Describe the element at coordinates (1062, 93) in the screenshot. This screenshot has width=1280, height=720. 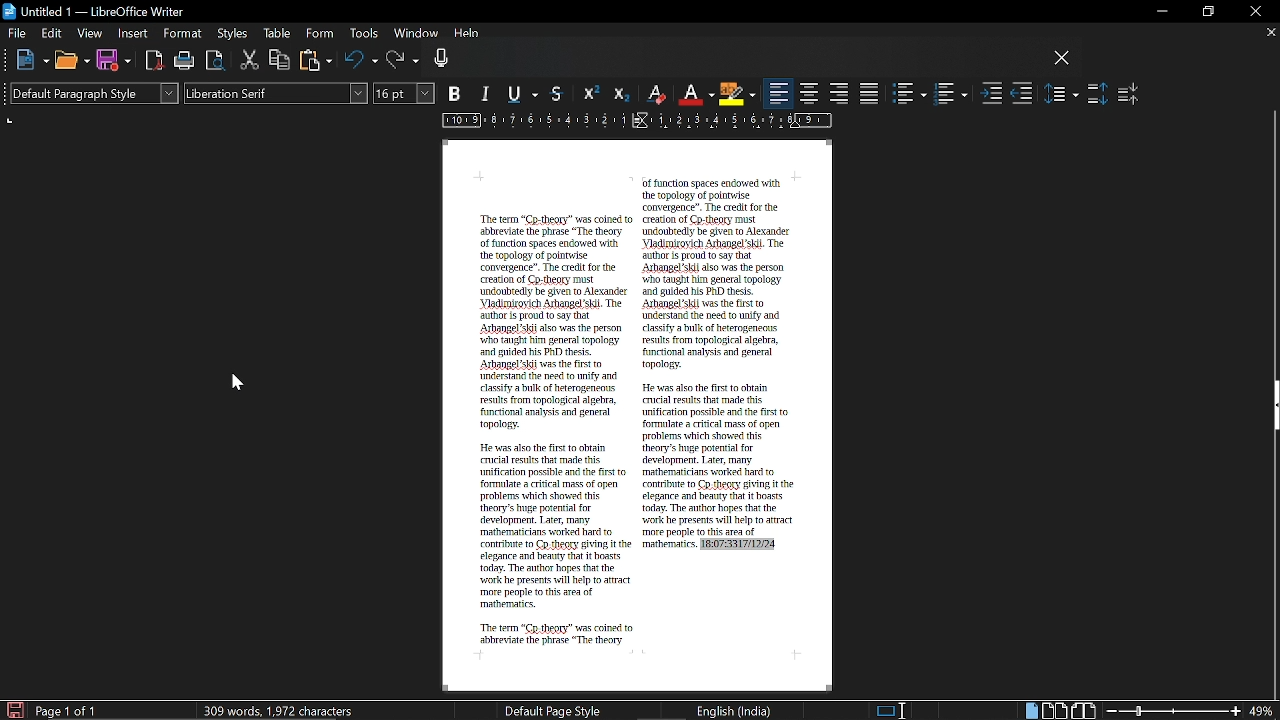
I see `Set line spacing` at that location.